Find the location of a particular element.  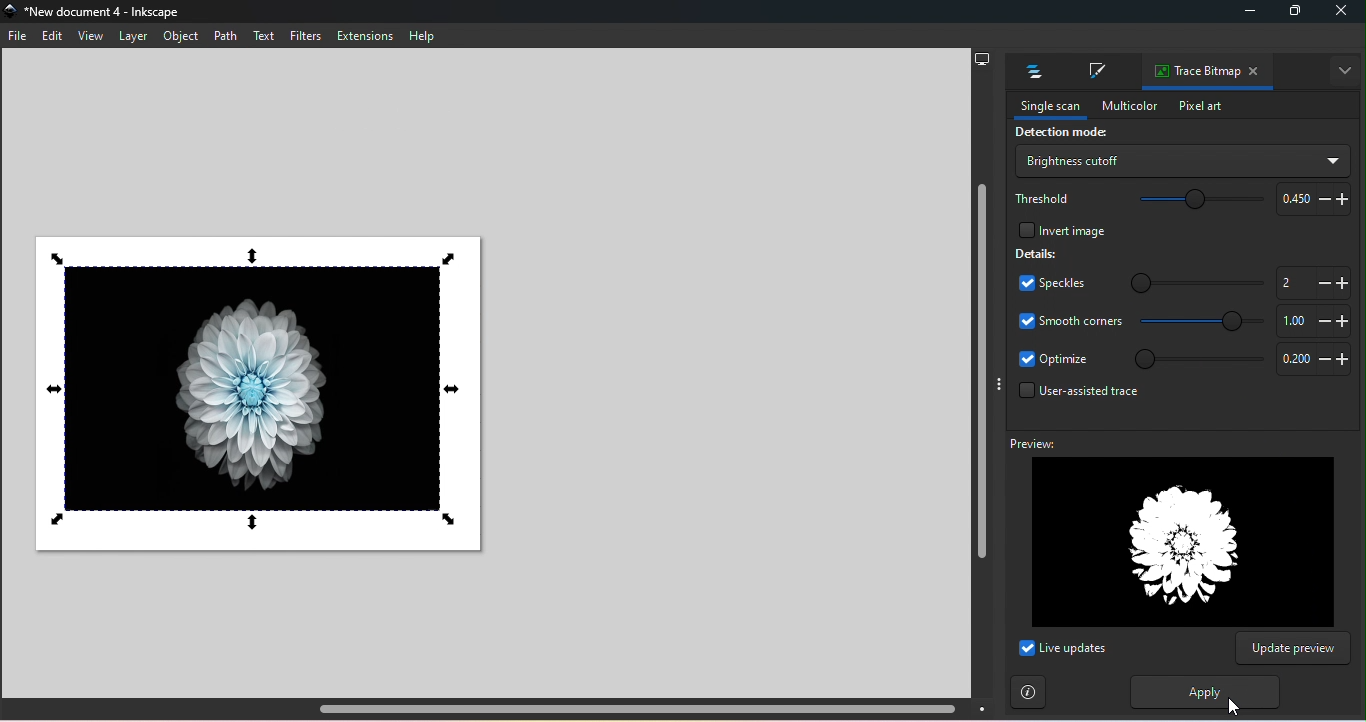

Details is located at coordinates (1037, 253).